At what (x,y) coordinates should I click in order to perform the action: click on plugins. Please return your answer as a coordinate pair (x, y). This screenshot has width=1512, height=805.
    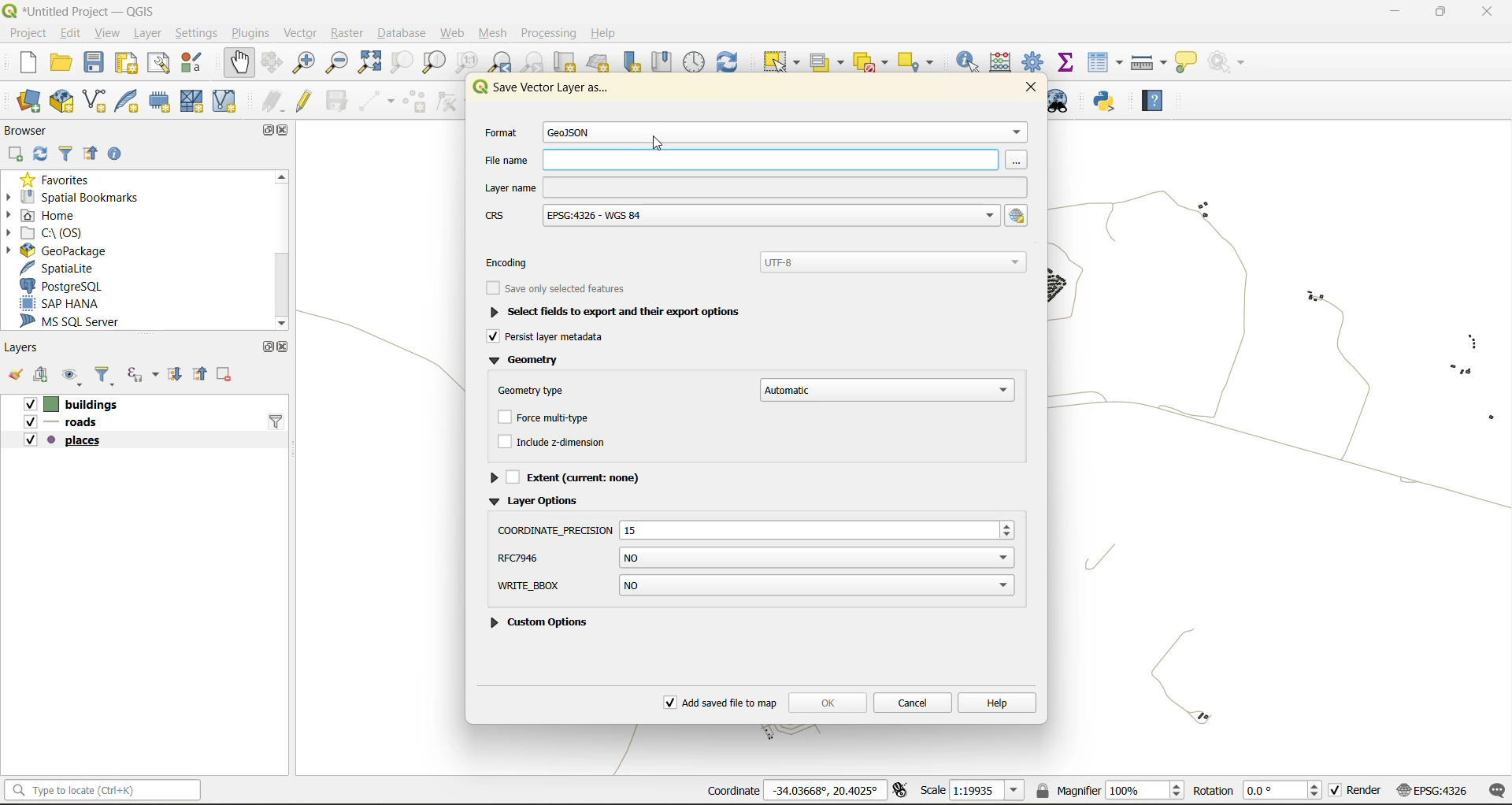
    Looking at the image, I should click on (251, 33).